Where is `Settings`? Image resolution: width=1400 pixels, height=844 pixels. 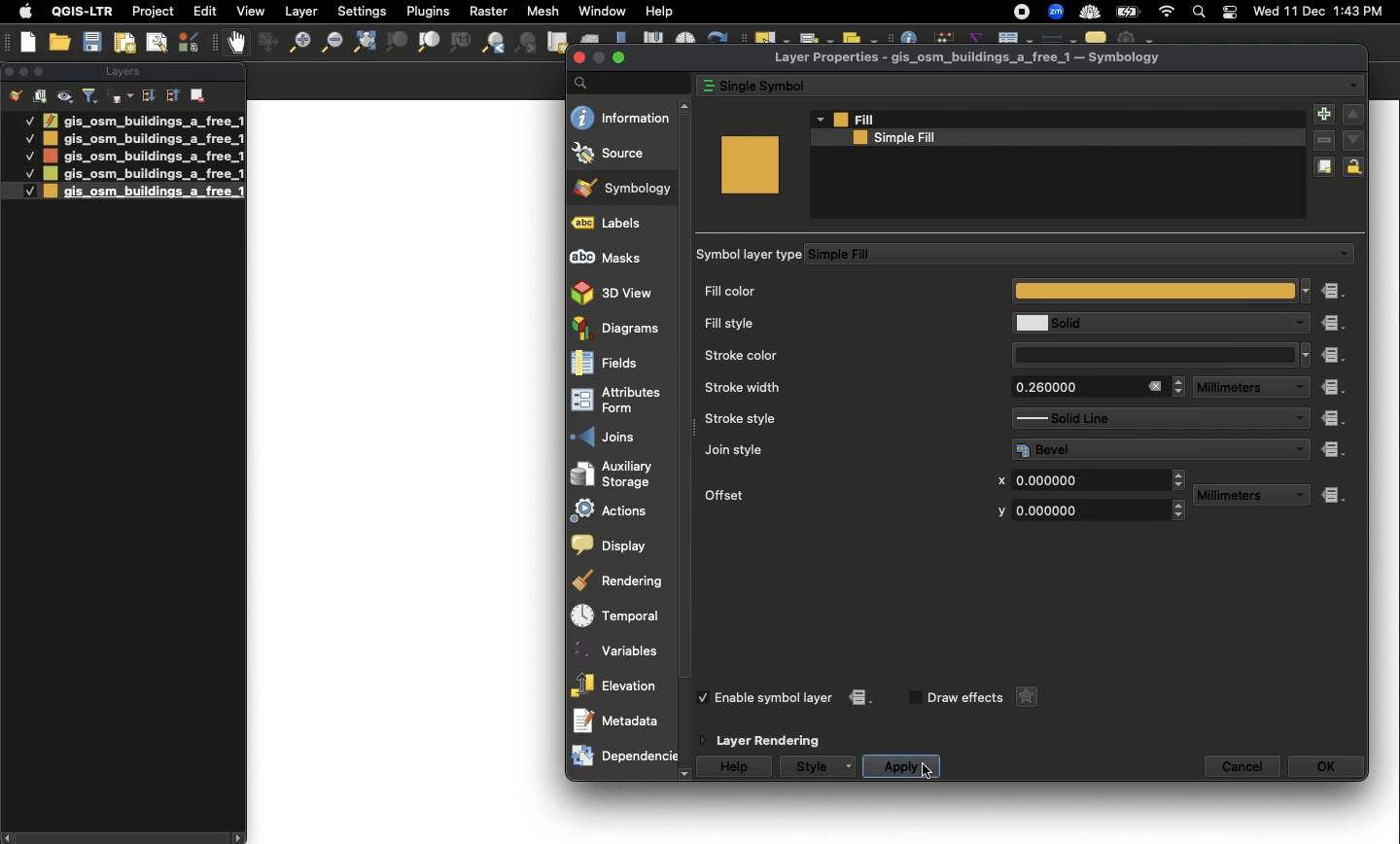 Settings is located at coordinates (364, 12).